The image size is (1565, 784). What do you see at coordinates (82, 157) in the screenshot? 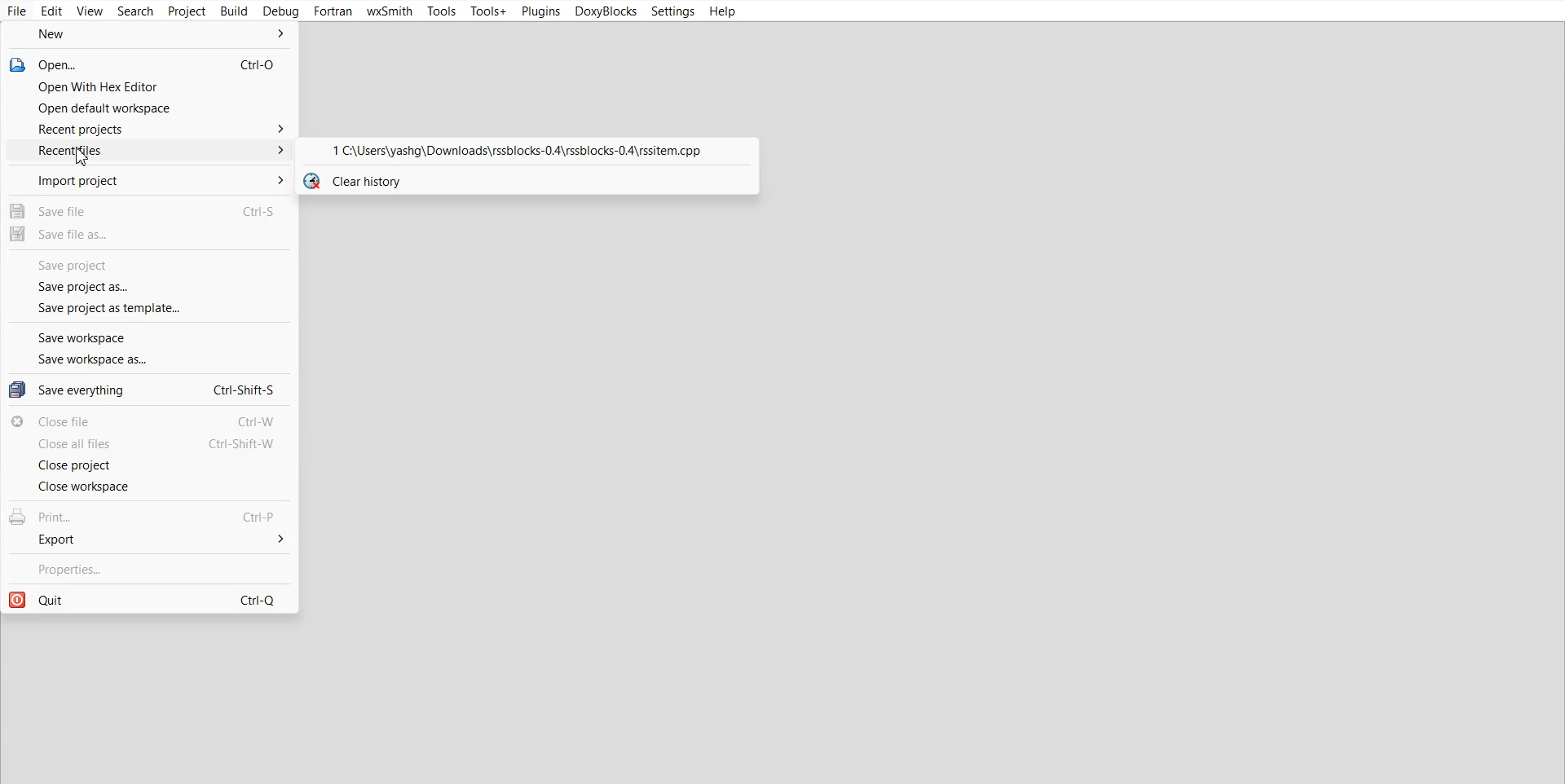
I see `Cursor` at bounding box center [82, 157].